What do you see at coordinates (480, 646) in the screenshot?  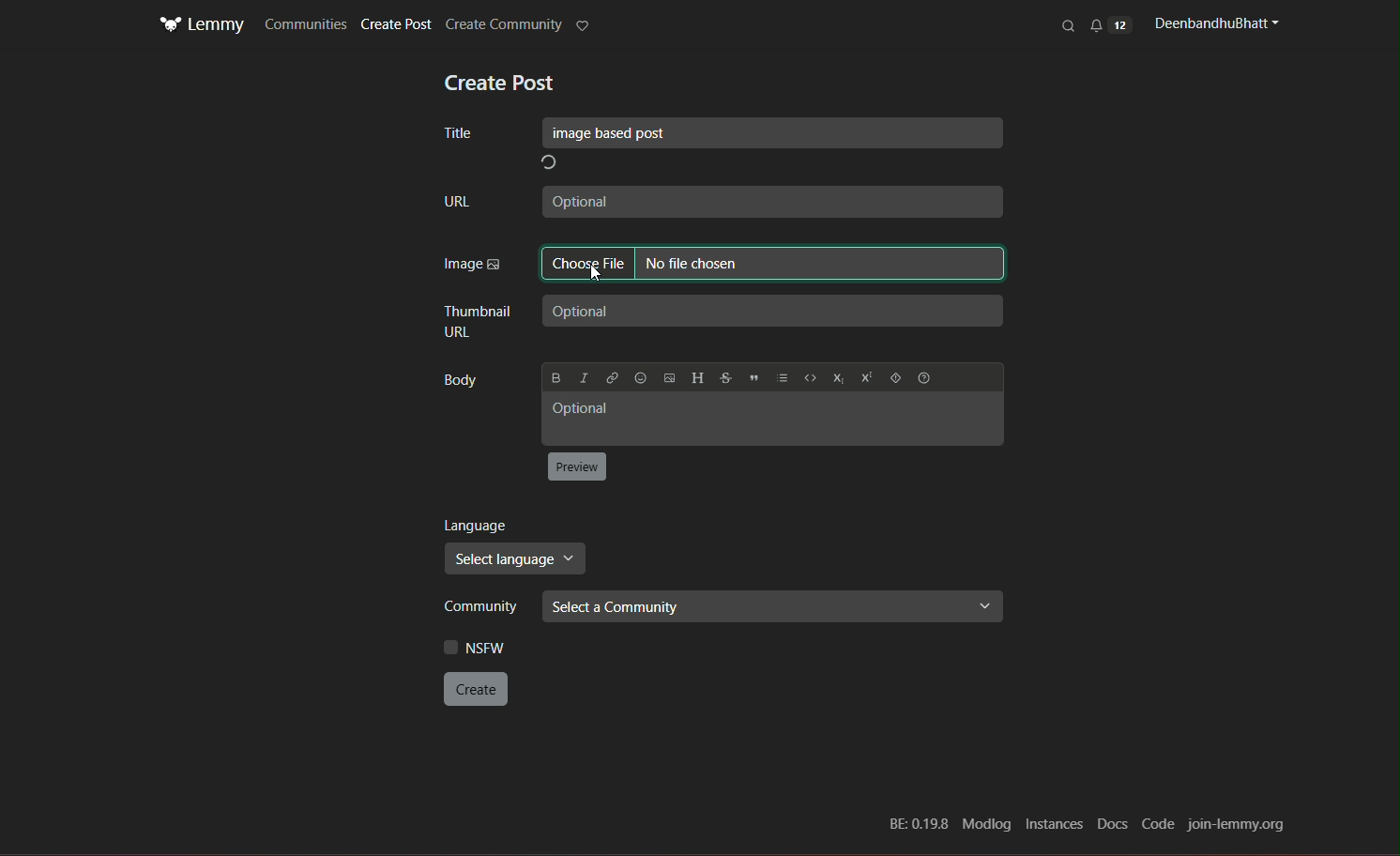 I see `NSFW` at bounding box center [480, 646].